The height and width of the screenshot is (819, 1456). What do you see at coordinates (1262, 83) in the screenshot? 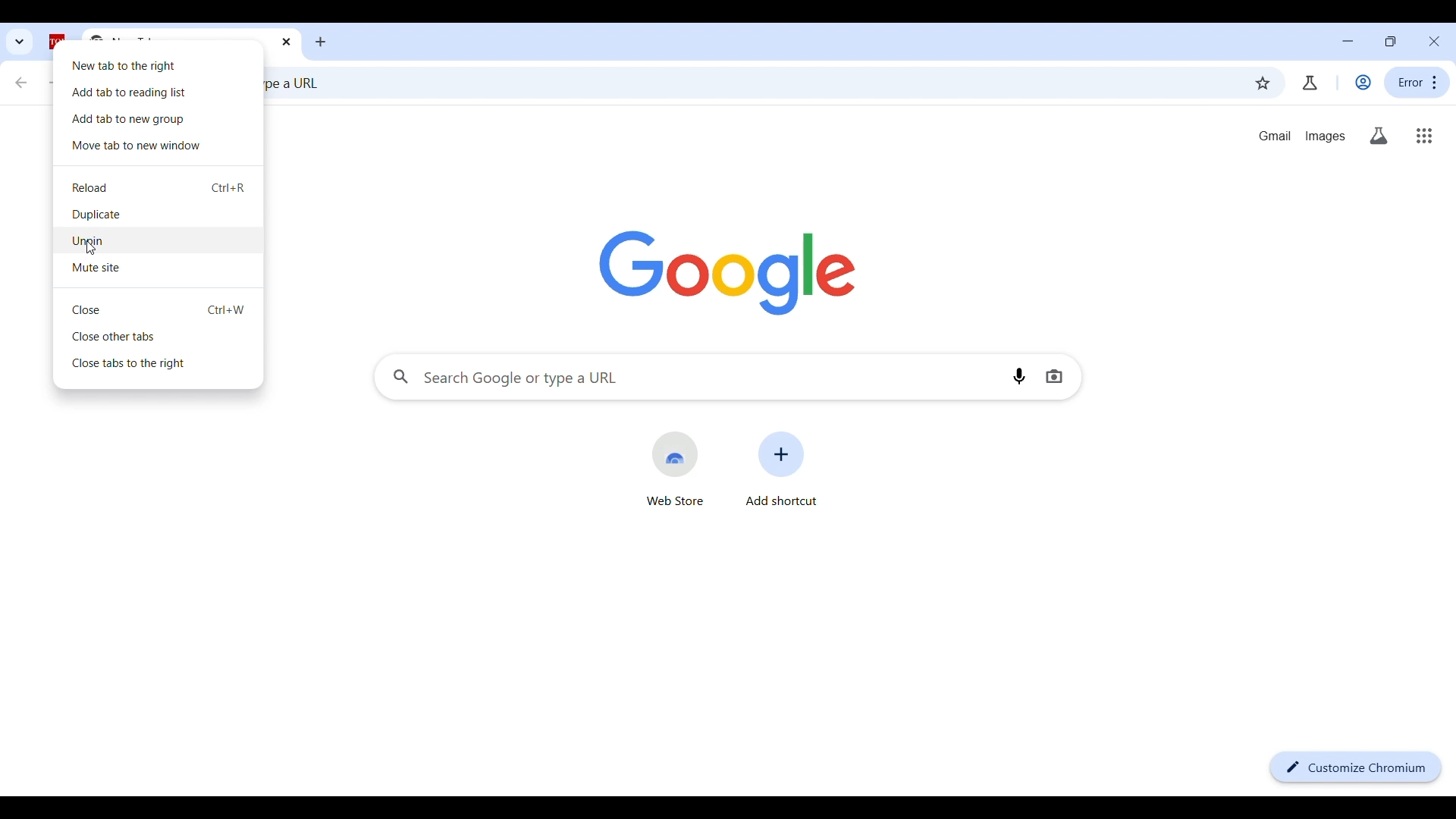
I see `Bookmark current tab` at bounding box center [1262, 83].